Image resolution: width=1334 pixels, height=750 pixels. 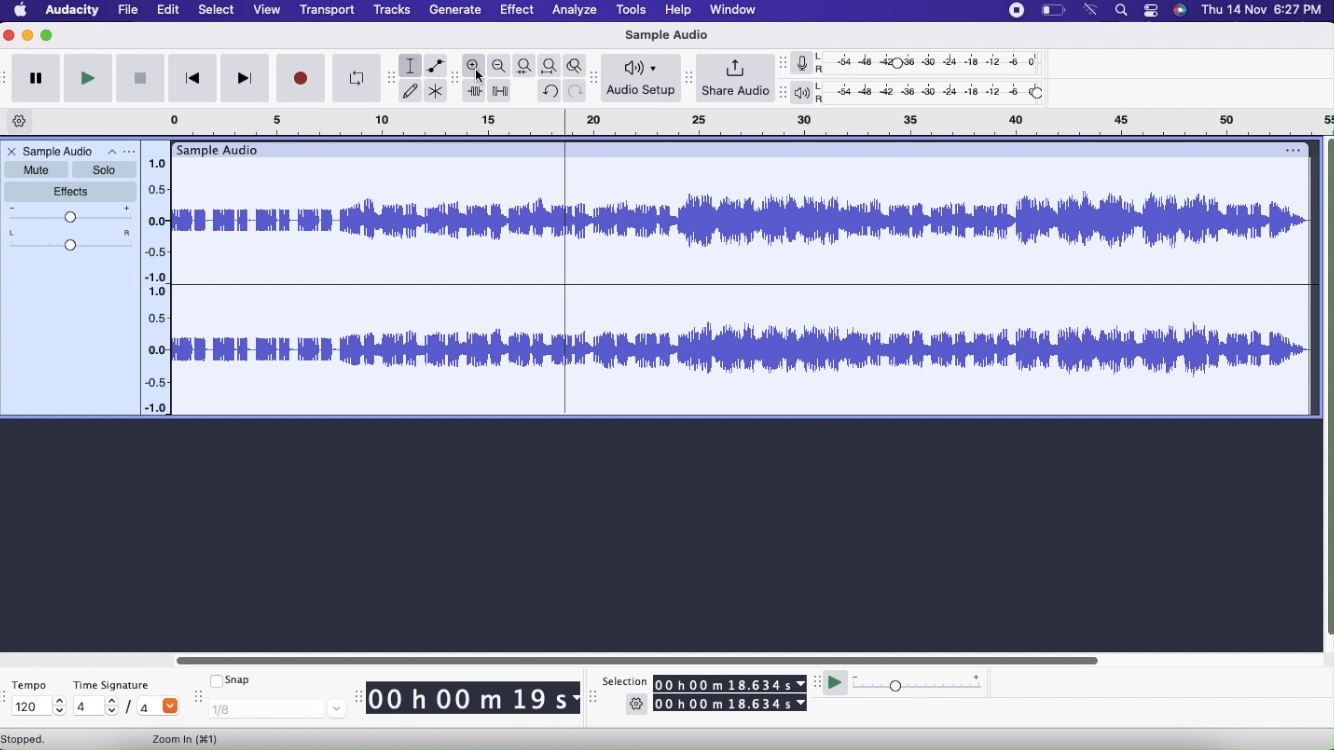 What do you see at coordinates (678, 10) in the screenshot?
I see `Help` at bounding box center [678, 10].